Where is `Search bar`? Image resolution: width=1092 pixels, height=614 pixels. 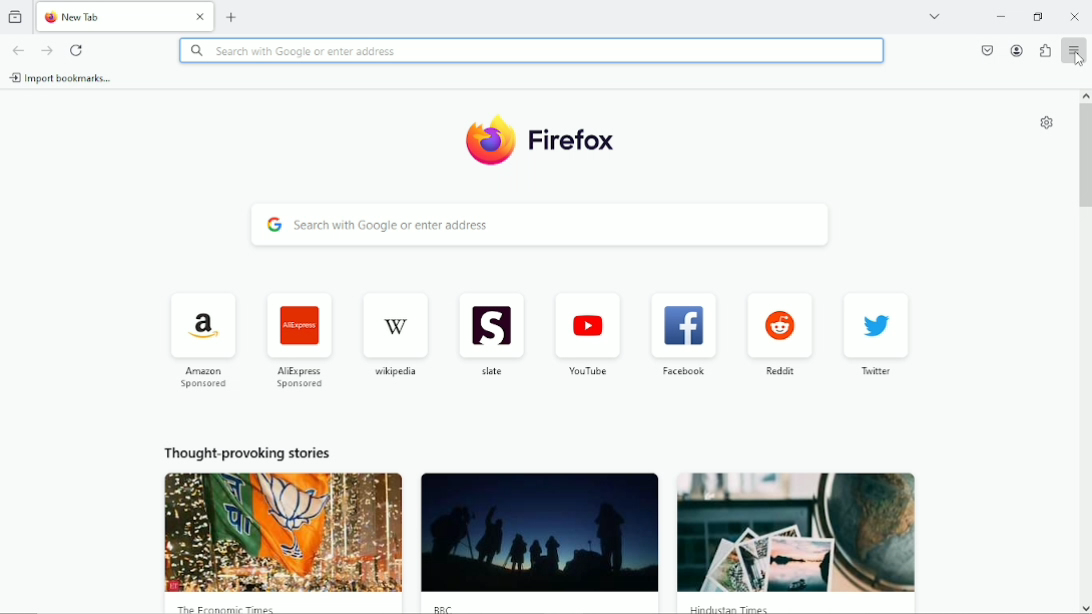
Search bar is located at coordinates (541, 224).